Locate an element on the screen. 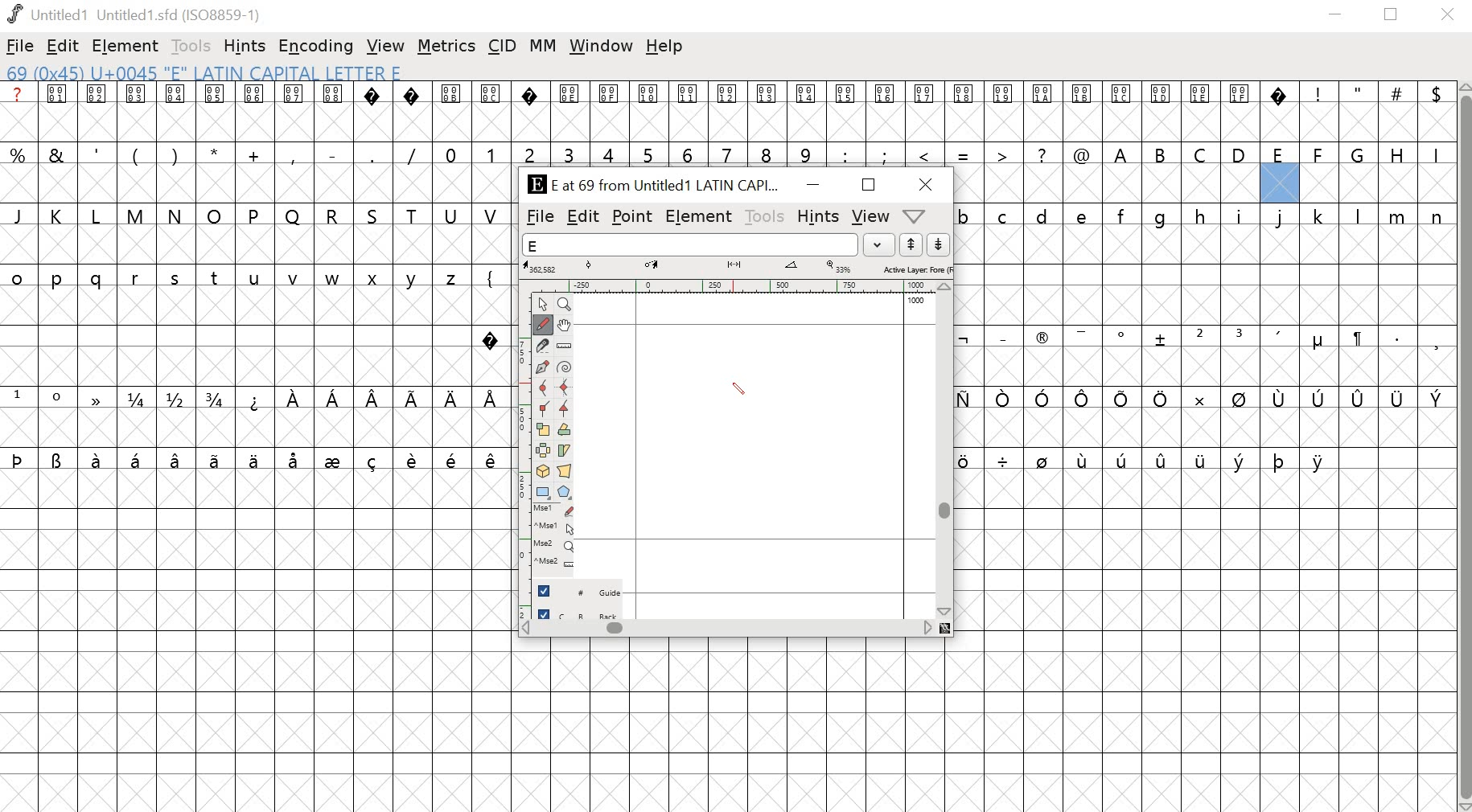  Mouse left button is located at coordinates (553, 511).